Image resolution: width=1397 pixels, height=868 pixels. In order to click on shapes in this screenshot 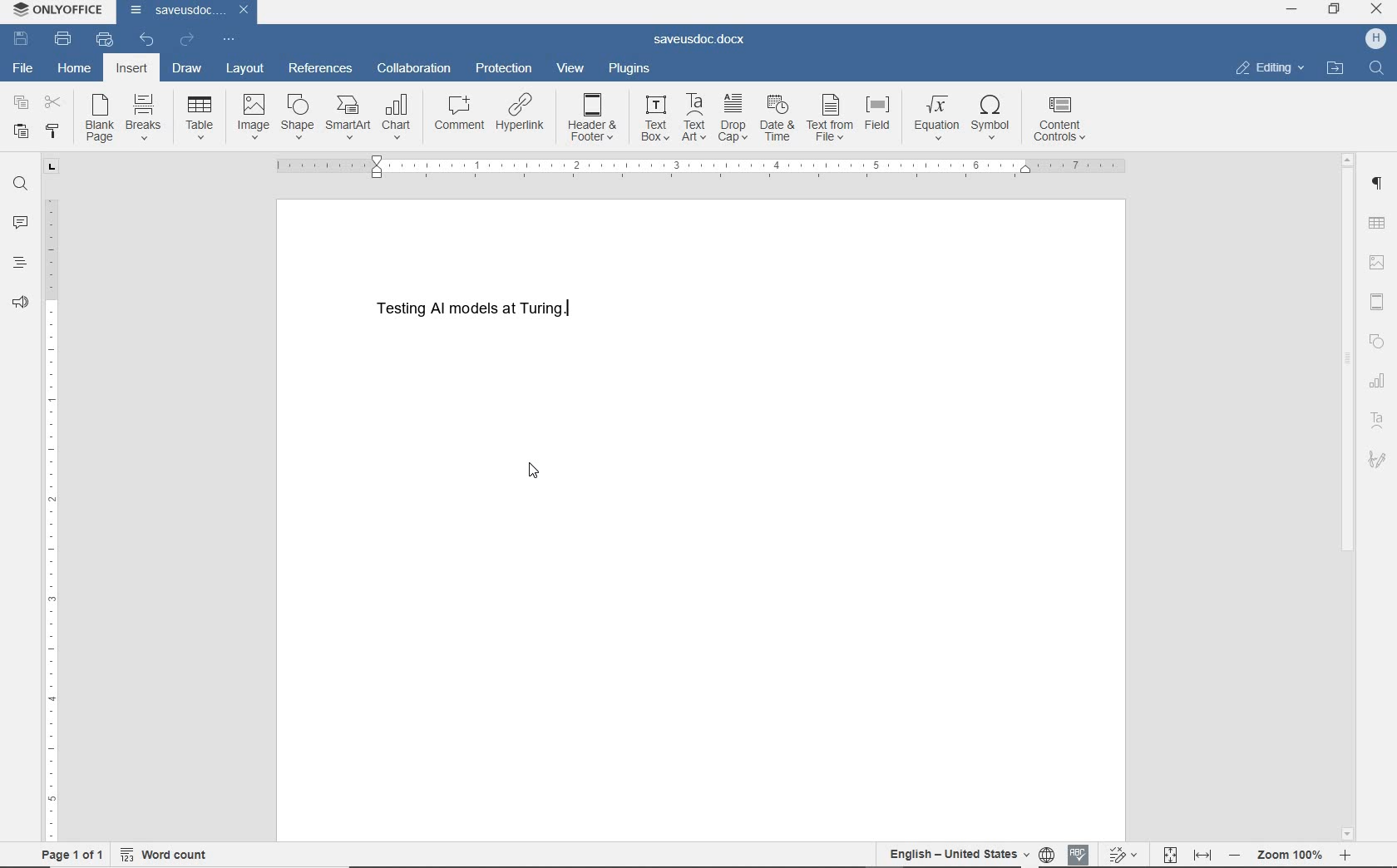, I will do `click(297, 117)`.